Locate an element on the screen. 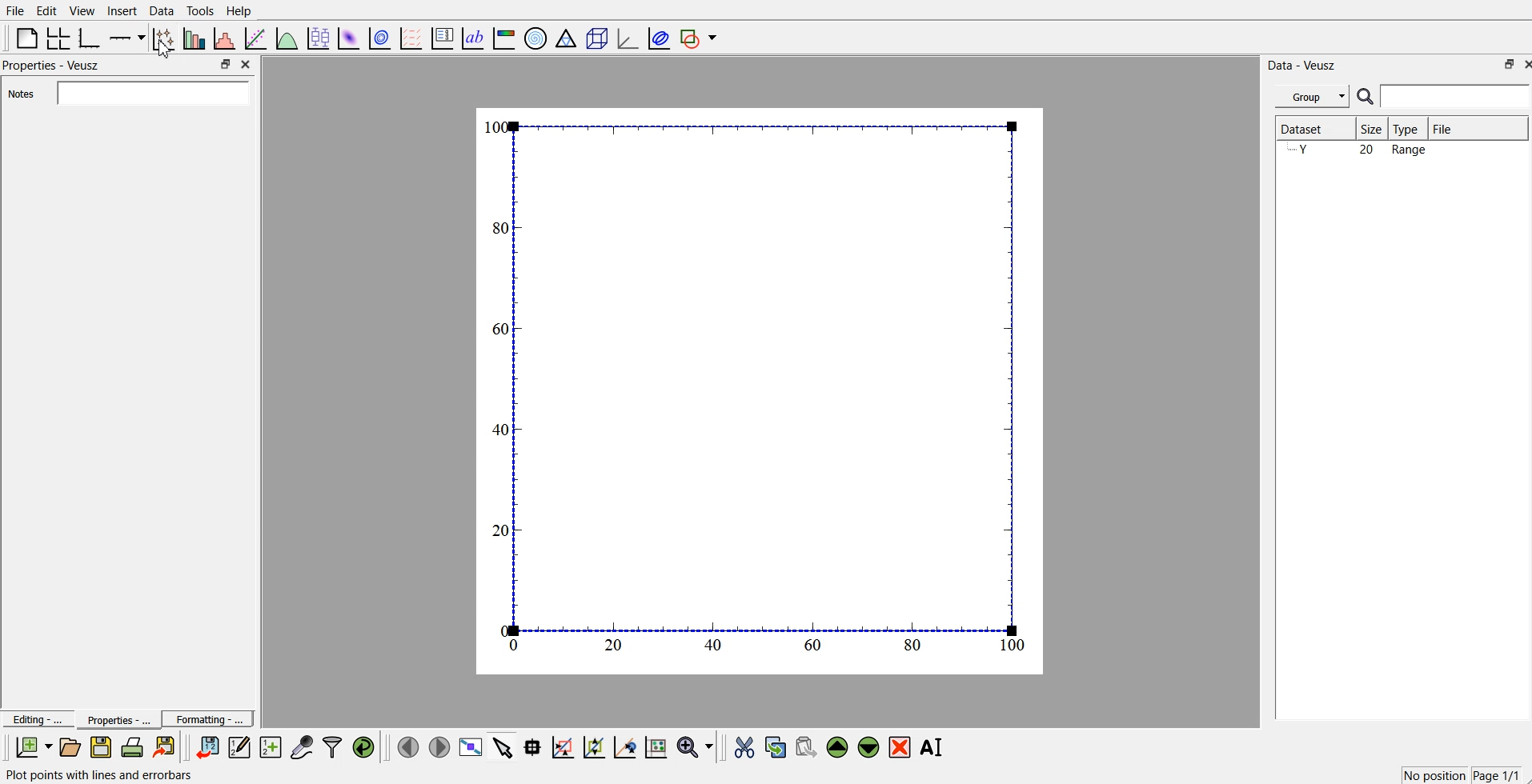 Image resolution: width=1532 pixels, height=784 pixels. Close is located at coordinates (1522, 64).